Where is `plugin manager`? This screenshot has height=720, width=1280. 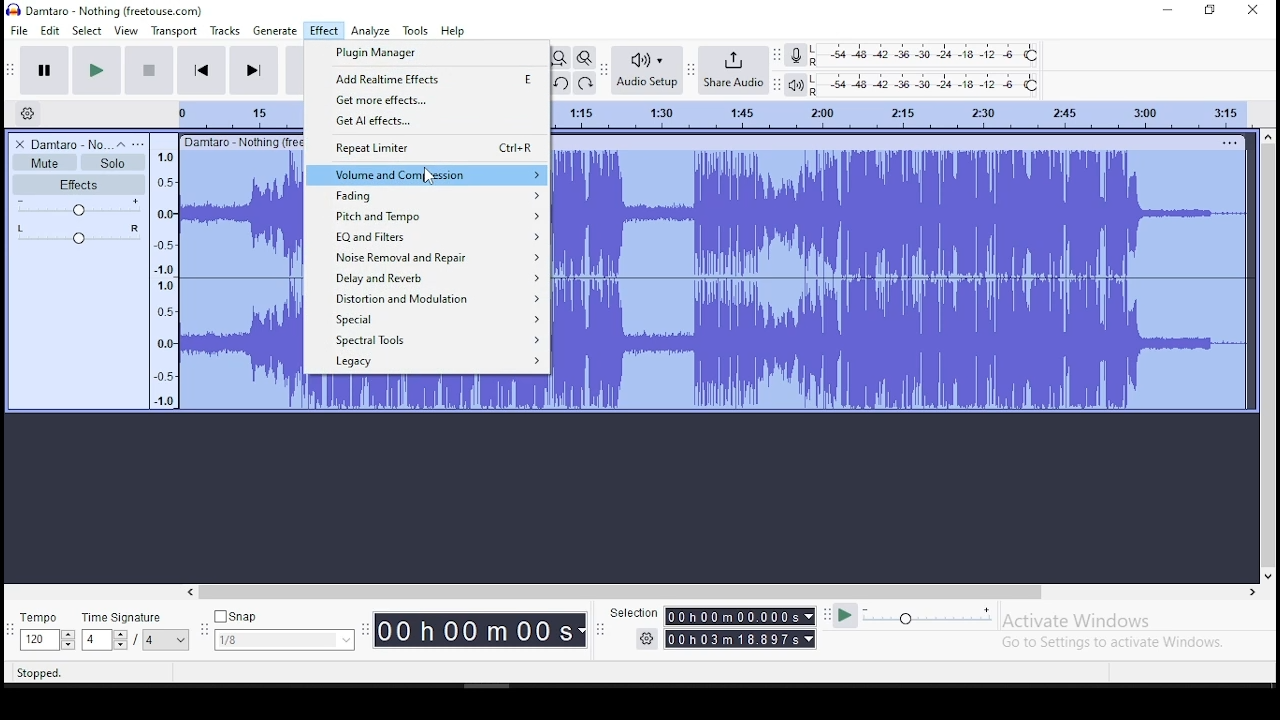 plugin manager is located at coordinates (431, 53).